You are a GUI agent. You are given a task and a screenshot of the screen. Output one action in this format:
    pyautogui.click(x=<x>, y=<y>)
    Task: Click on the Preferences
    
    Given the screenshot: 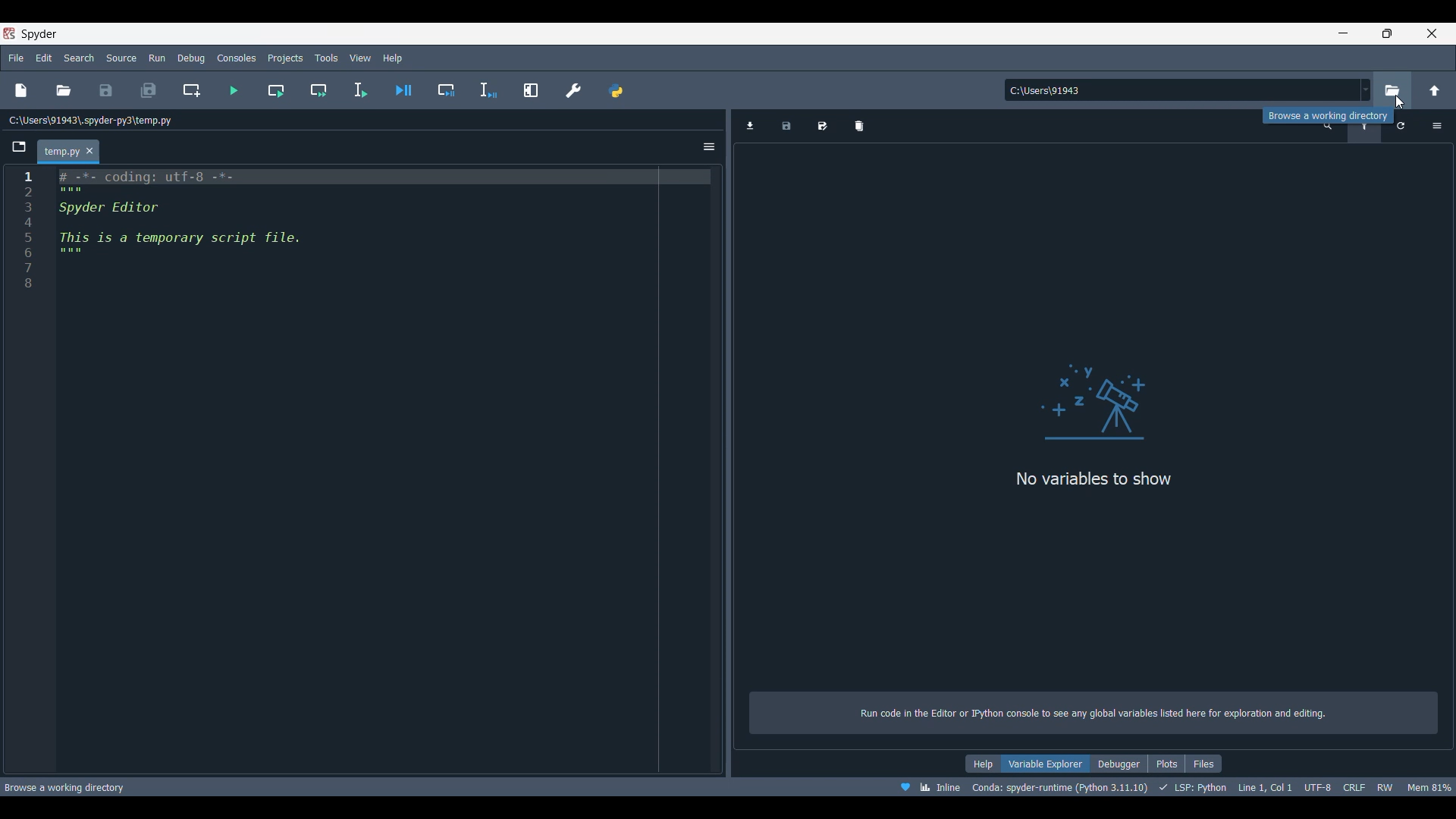 What is the action you would take?
    pyautogui.click(x=573, y=90)
    